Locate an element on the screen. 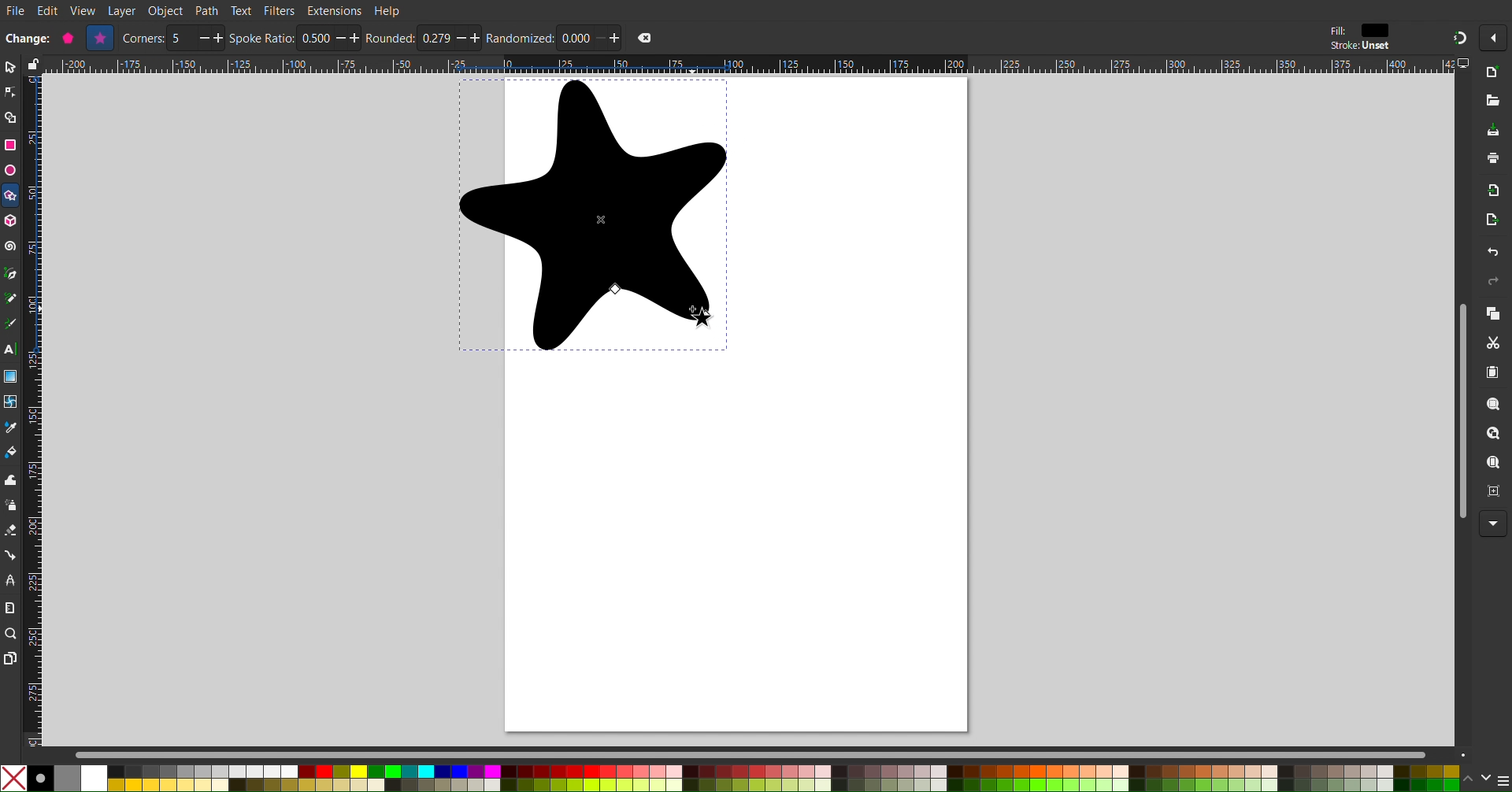  File is located at coordinates (15, 12).